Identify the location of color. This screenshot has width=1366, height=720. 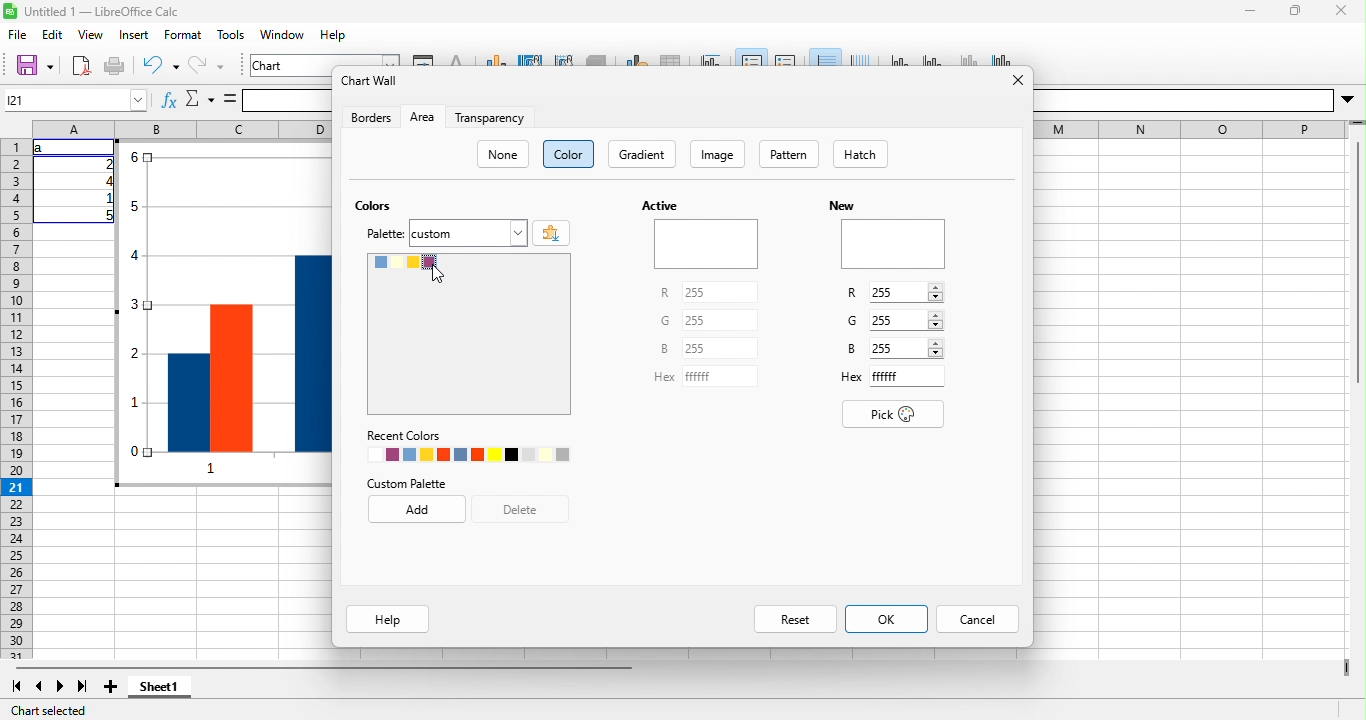
(568, 154).